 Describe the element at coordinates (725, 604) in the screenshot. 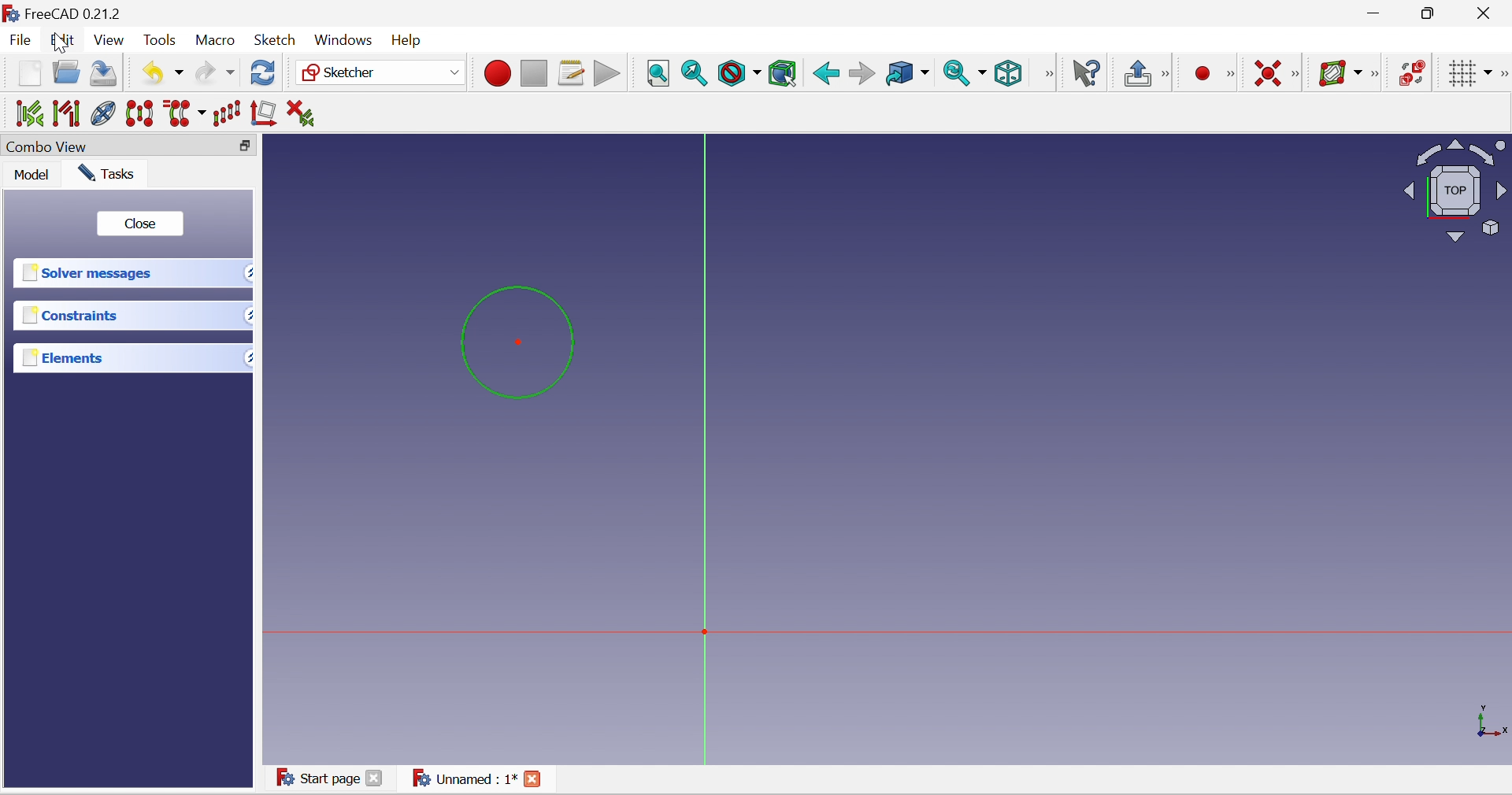

I see `Canvas element` at that location.